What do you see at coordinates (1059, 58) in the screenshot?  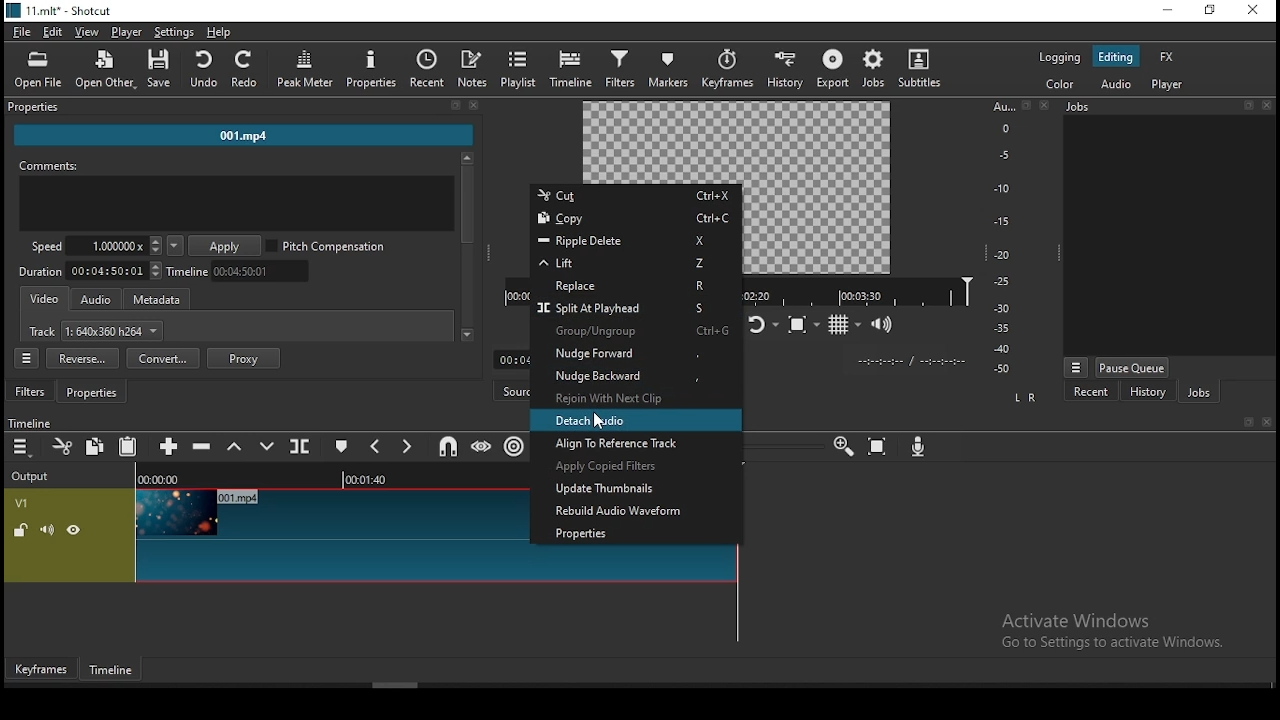 I see `logging` at bounding box center [1059, 58].